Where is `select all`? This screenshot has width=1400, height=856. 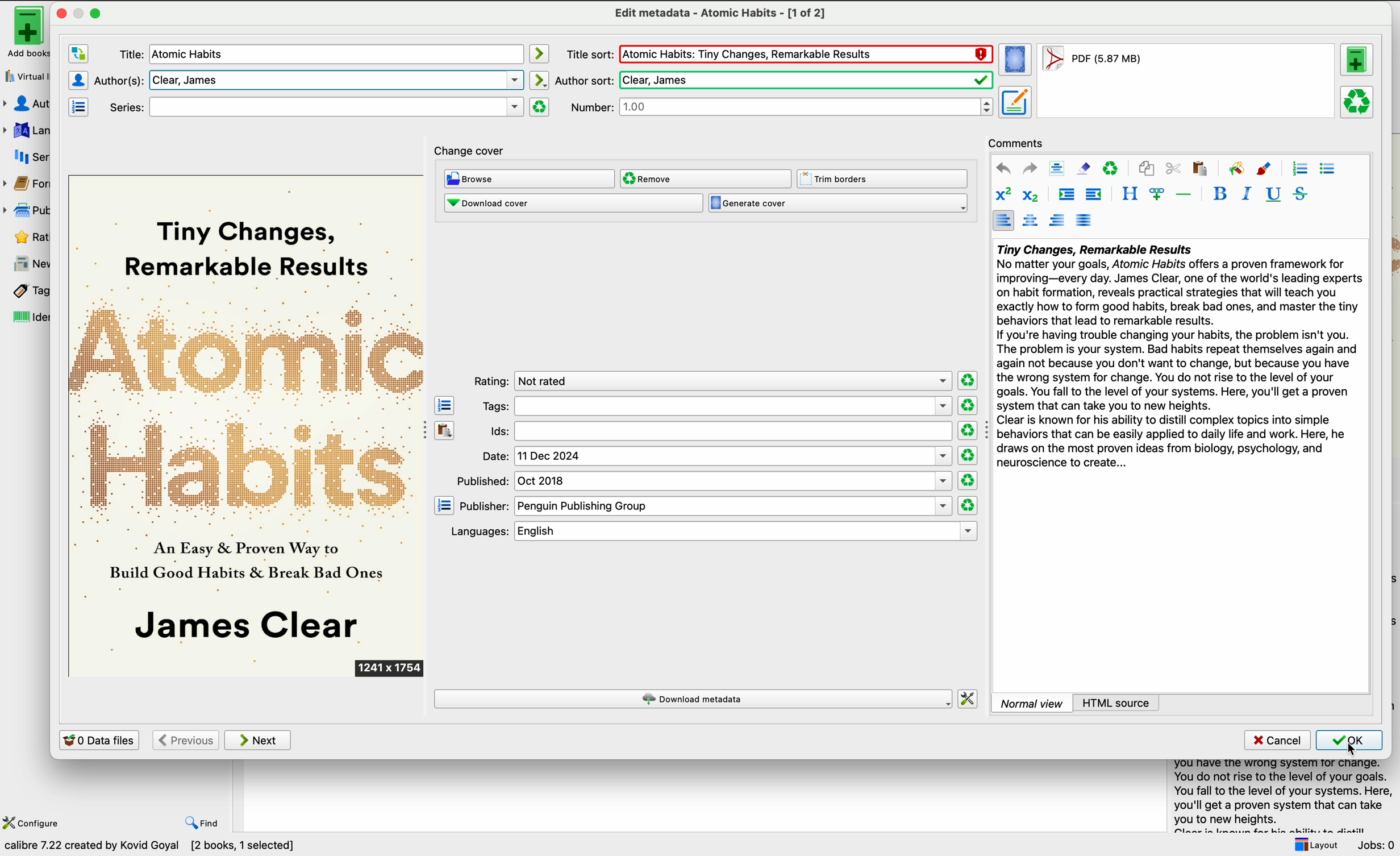 select all is located at coordinates (1057, 168).